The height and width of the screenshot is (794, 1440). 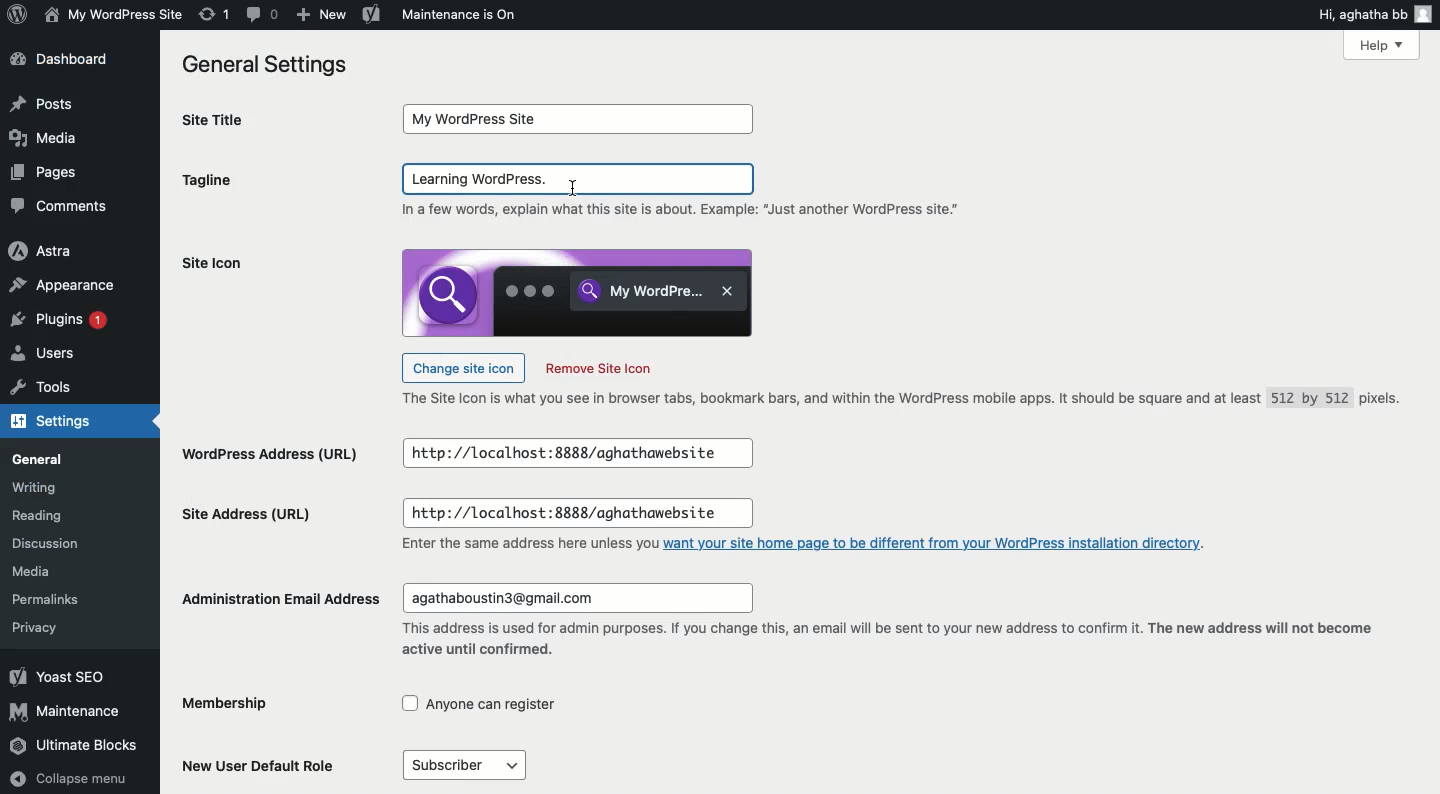 I want to click on input box, so click(x=577, y=514).